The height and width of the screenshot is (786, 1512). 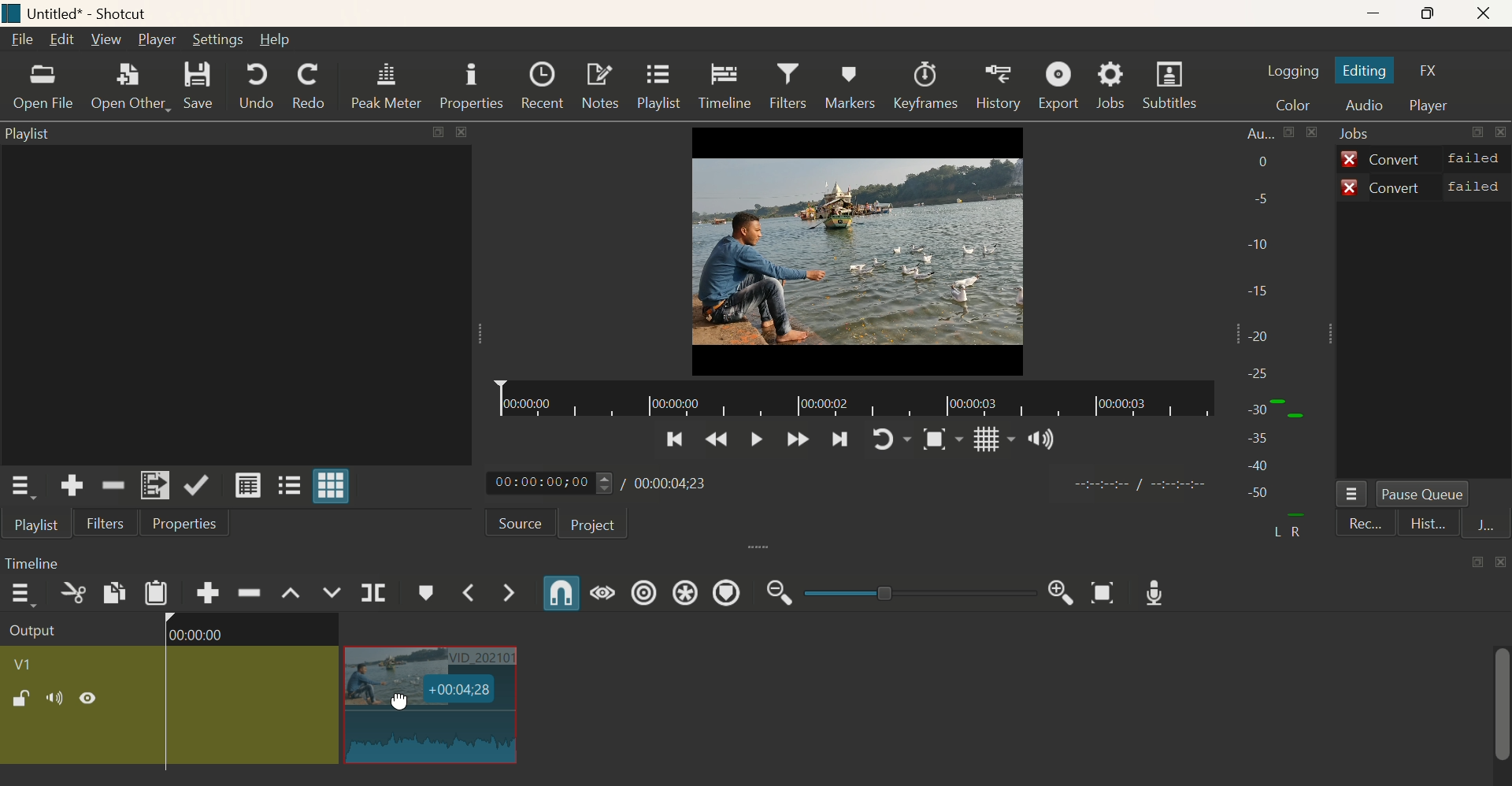 What do you see at coordinates (336, 485) in the screenshot?
I see `View as grid` at bounding box center [336, 485].